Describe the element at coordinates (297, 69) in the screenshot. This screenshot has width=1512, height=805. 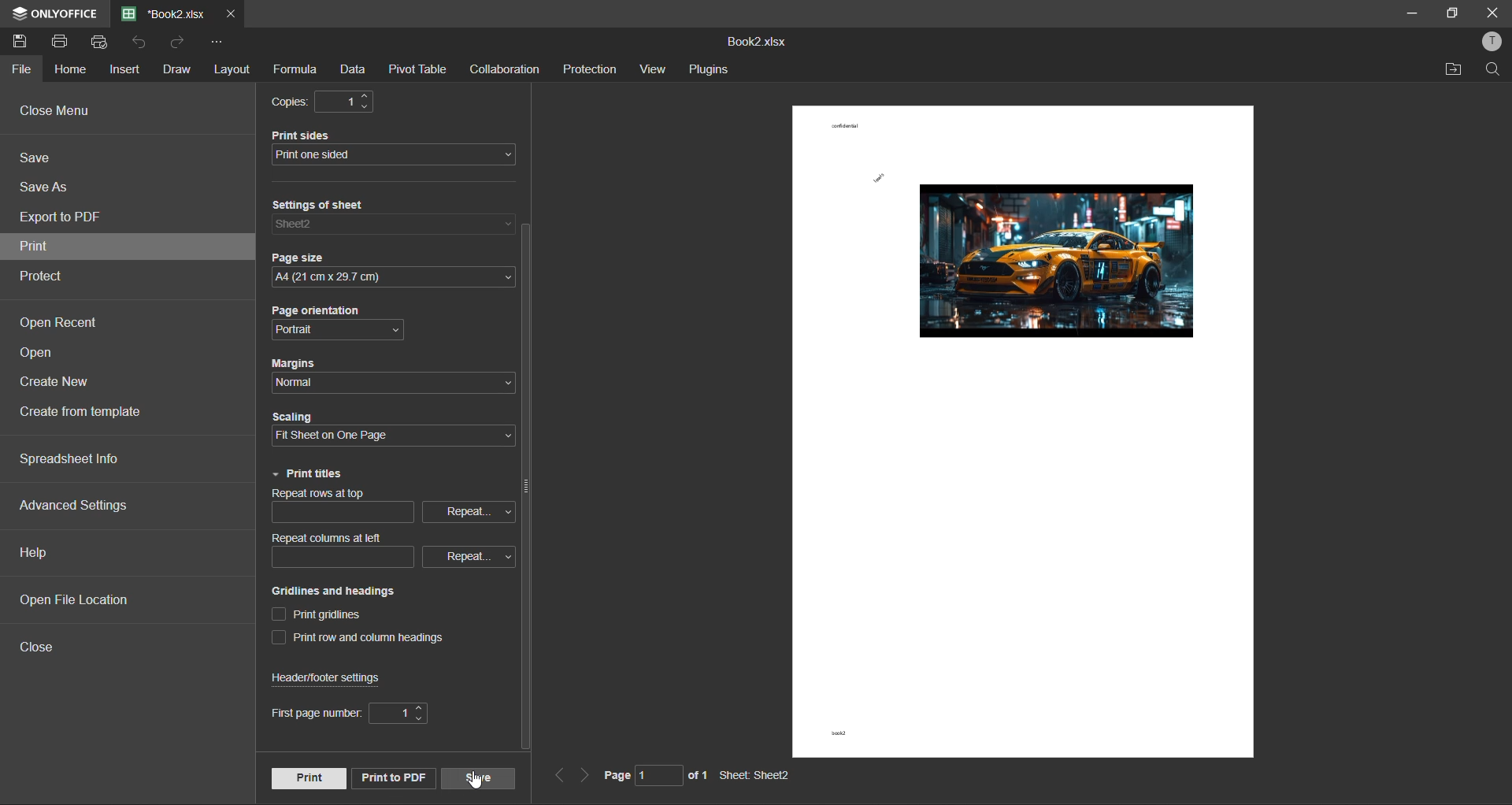
I see `formula` at that location.